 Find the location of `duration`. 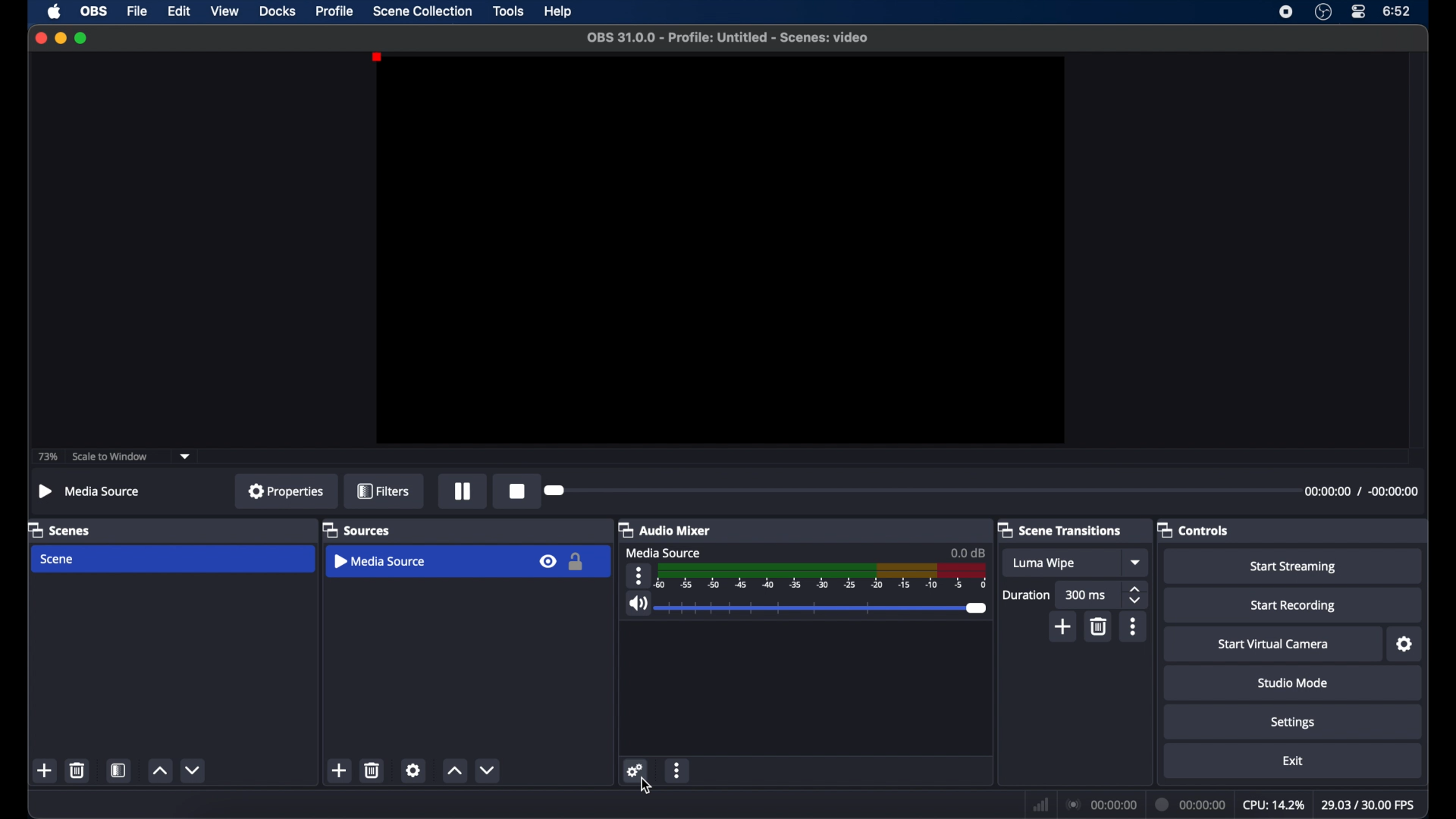

duration is located at coordinates (1192, 803).